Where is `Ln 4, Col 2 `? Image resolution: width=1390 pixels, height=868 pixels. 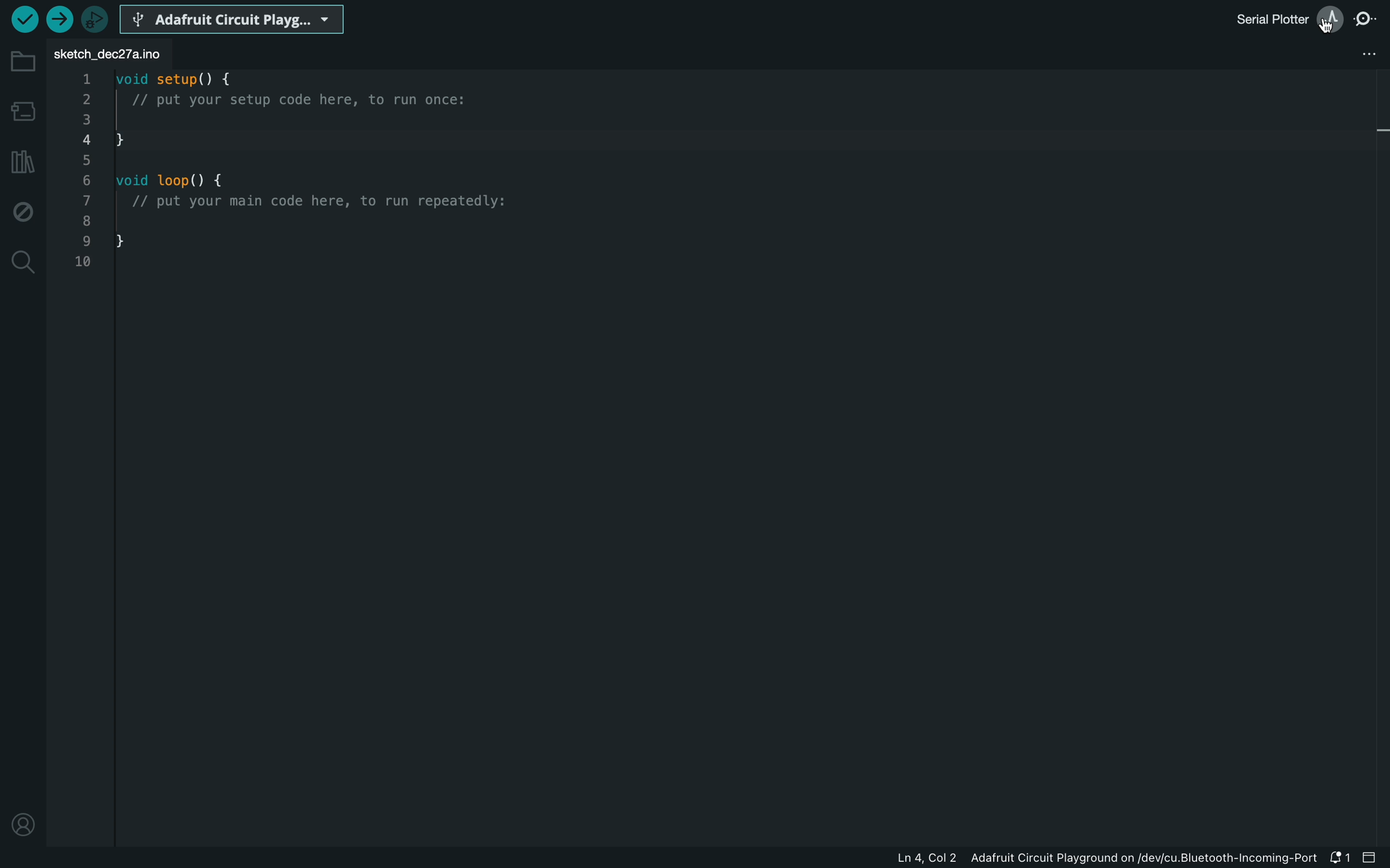 Ln 4, Col 2  is located at coordinates (926, 856).